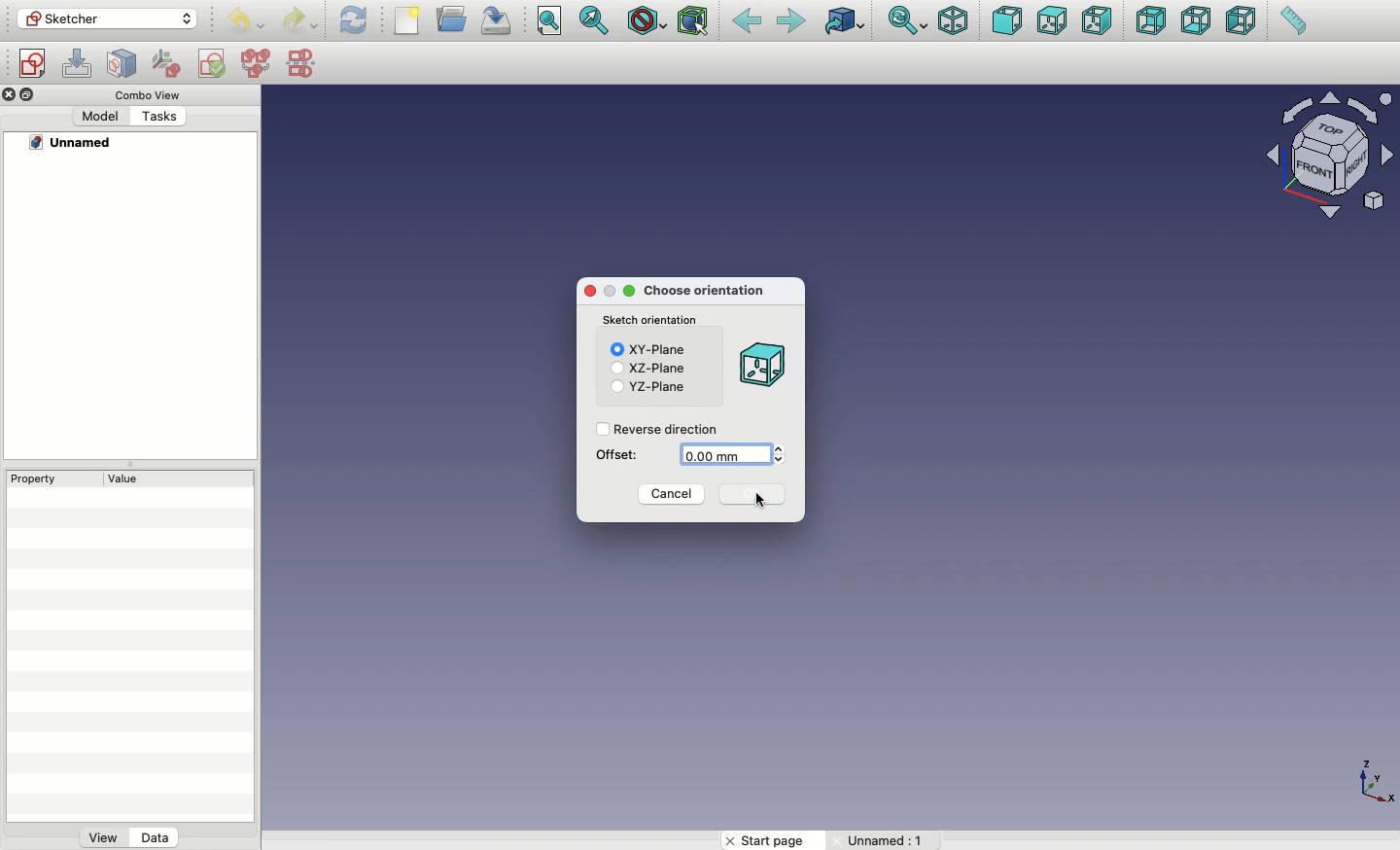  What do you see at coordinates (10, 95) in the screenshot?
I see `` at bounding box center [10, 95].